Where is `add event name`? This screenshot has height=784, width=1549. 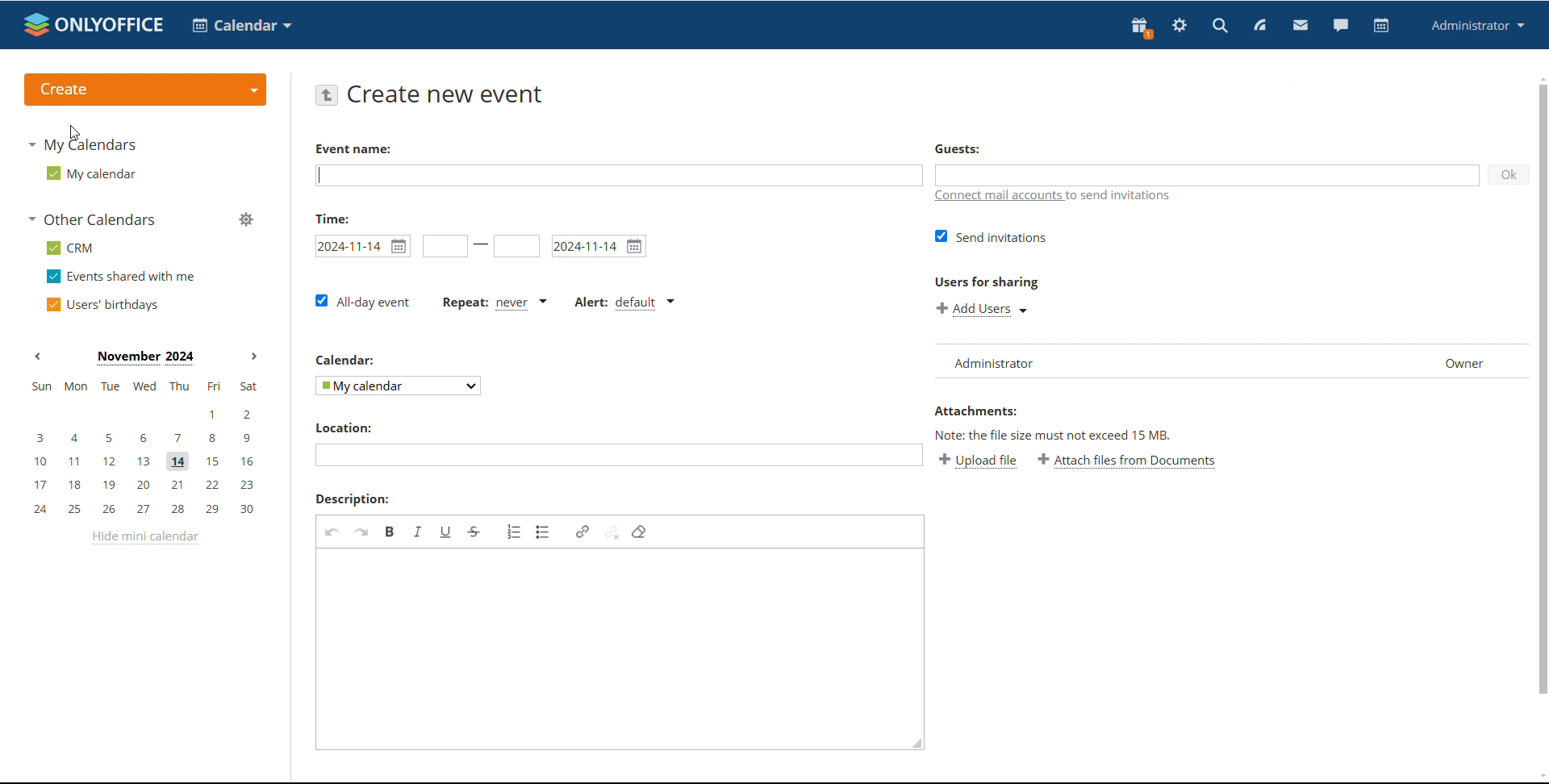
add event name is located at coordinates (620, 176).